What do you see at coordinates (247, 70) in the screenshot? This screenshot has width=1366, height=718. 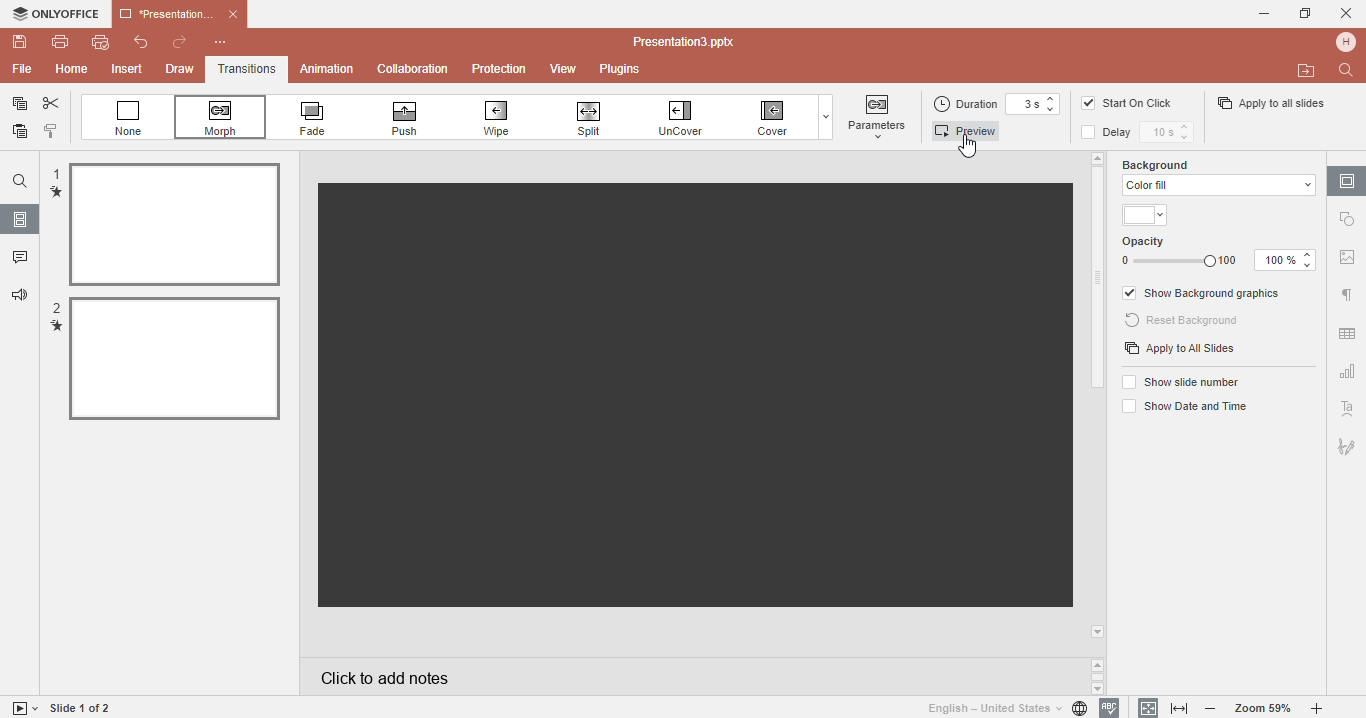 I see `Transitions` at bounding box center [247, 70].